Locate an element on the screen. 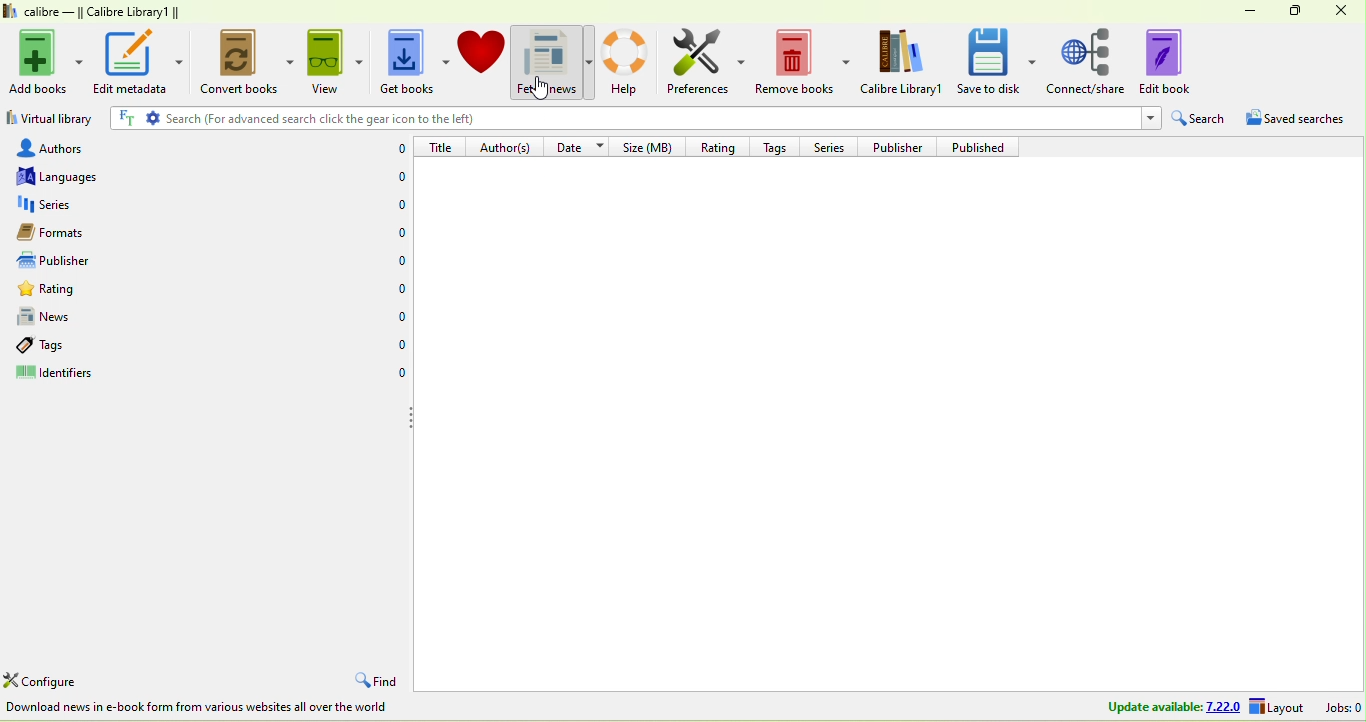 The height and width of the screenshot is (722, 1366). help is located at coordinates (630, 62).